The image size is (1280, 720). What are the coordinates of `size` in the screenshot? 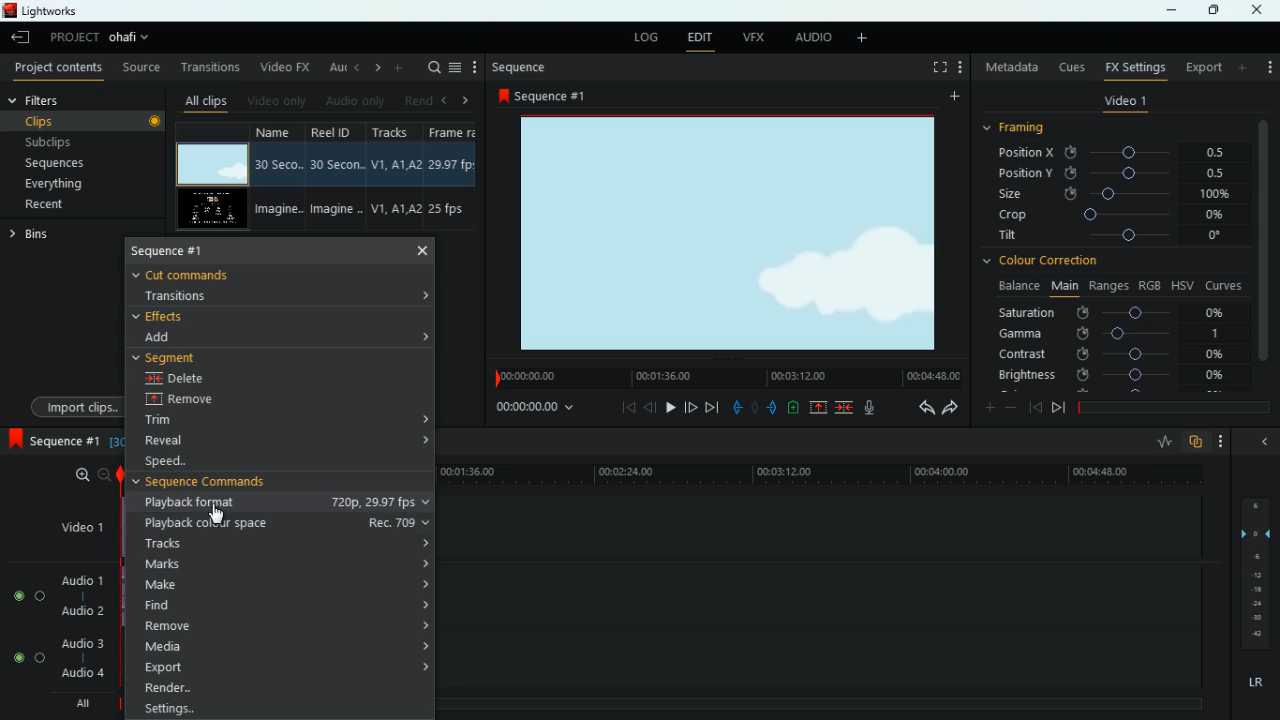 It's located at (1118, 194).